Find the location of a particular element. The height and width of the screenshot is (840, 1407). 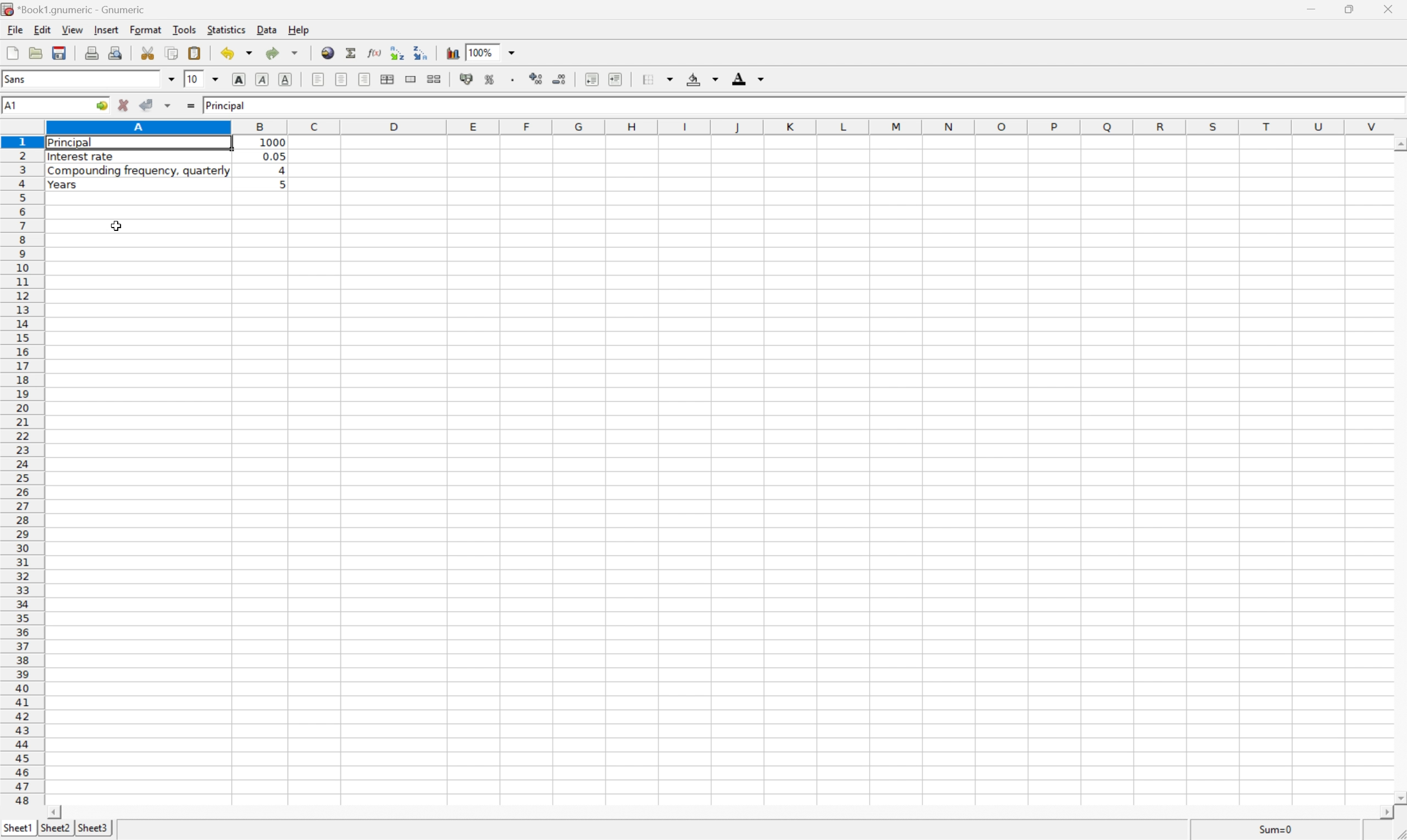

merge range of cells is located at coordinates (411, 79).